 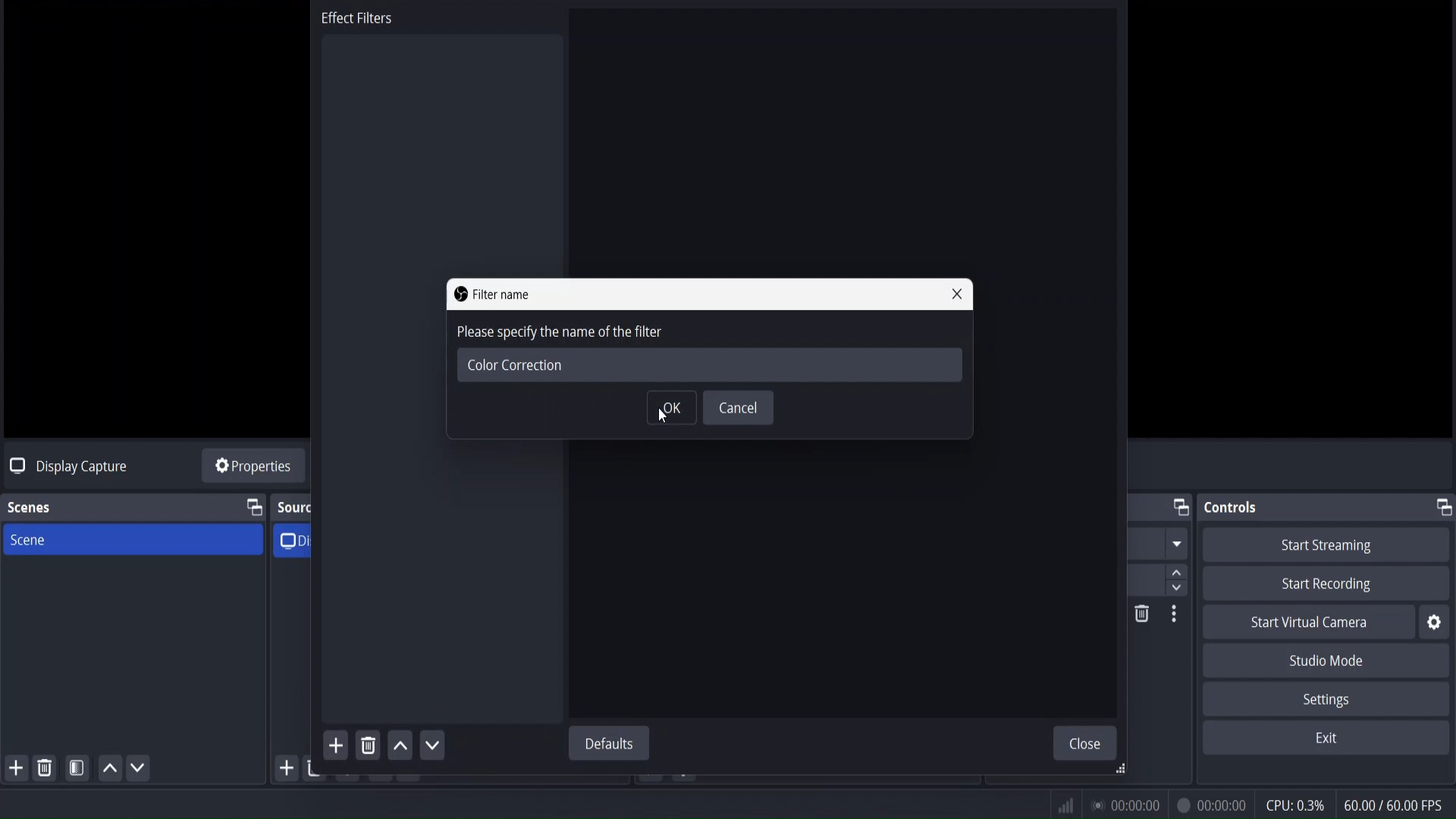 I want to click on source properties, so click(x=253, y=468).